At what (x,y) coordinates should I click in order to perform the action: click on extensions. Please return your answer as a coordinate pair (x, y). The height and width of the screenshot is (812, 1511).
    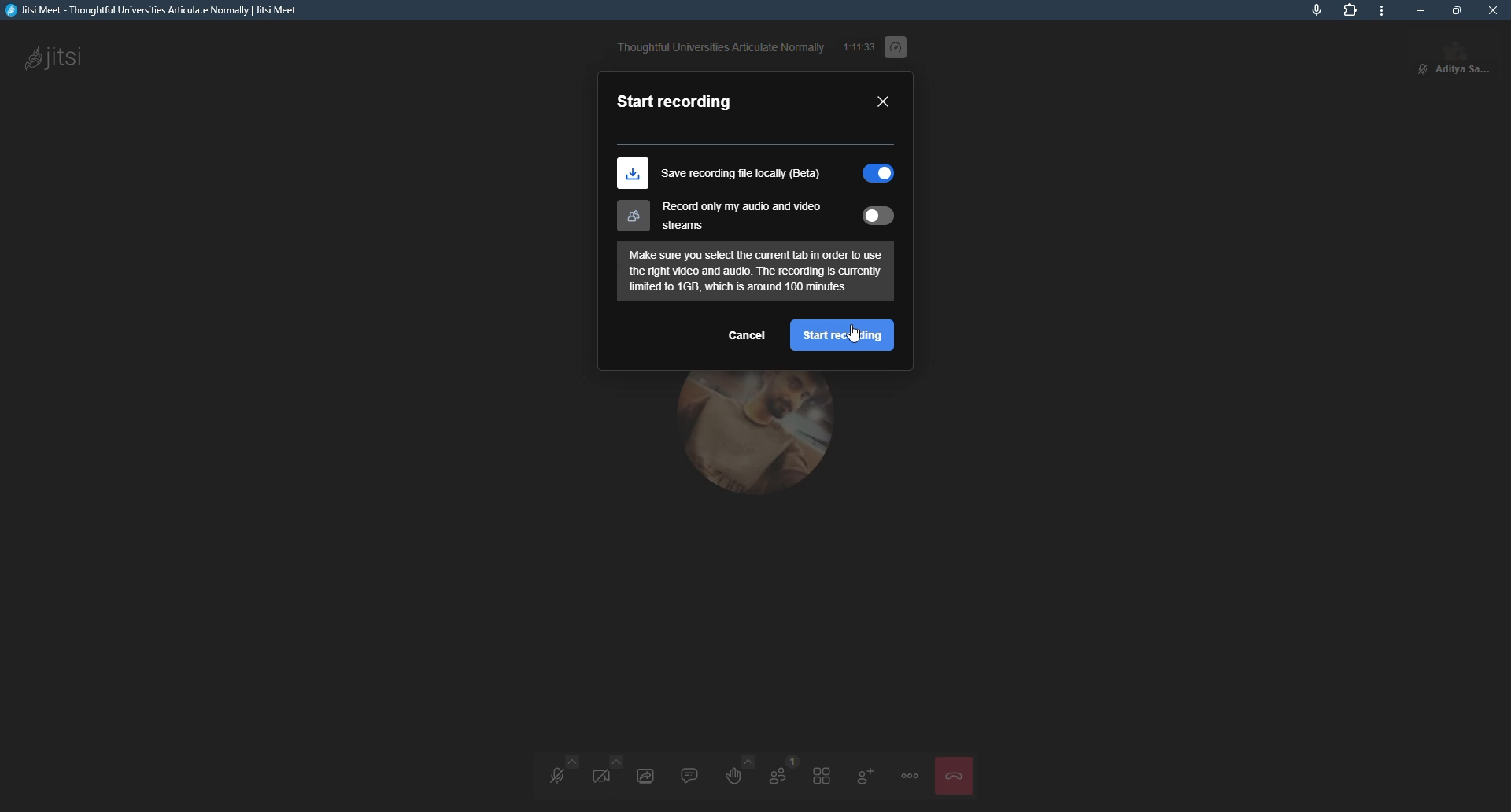
    Looking at the image, I should click on (1347, 10).